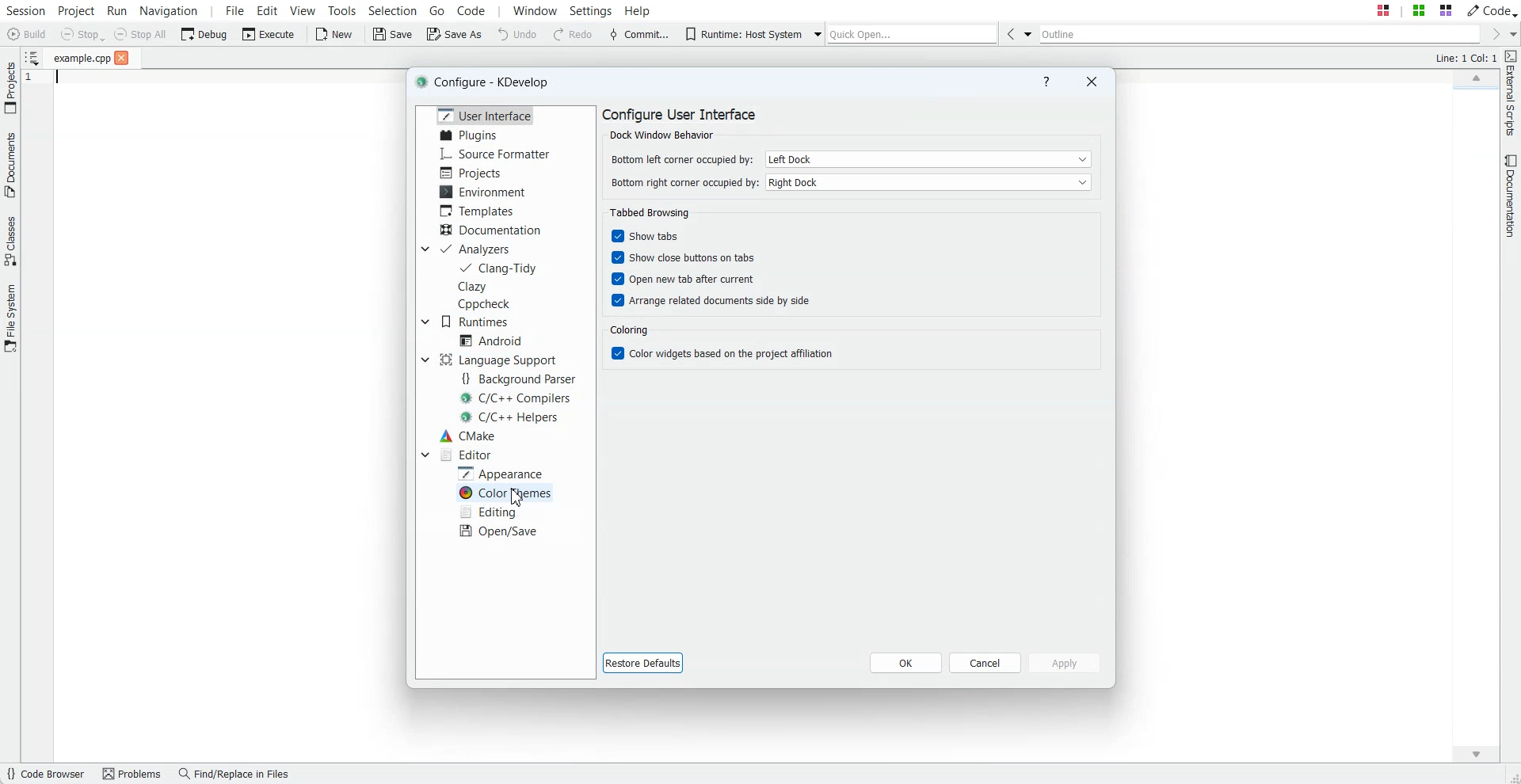 This screenshot has height=784, width=1521. What do you see at coordinates (517, 35) in the screenshot?
I see `Undo` at bounding box center [517, 35].